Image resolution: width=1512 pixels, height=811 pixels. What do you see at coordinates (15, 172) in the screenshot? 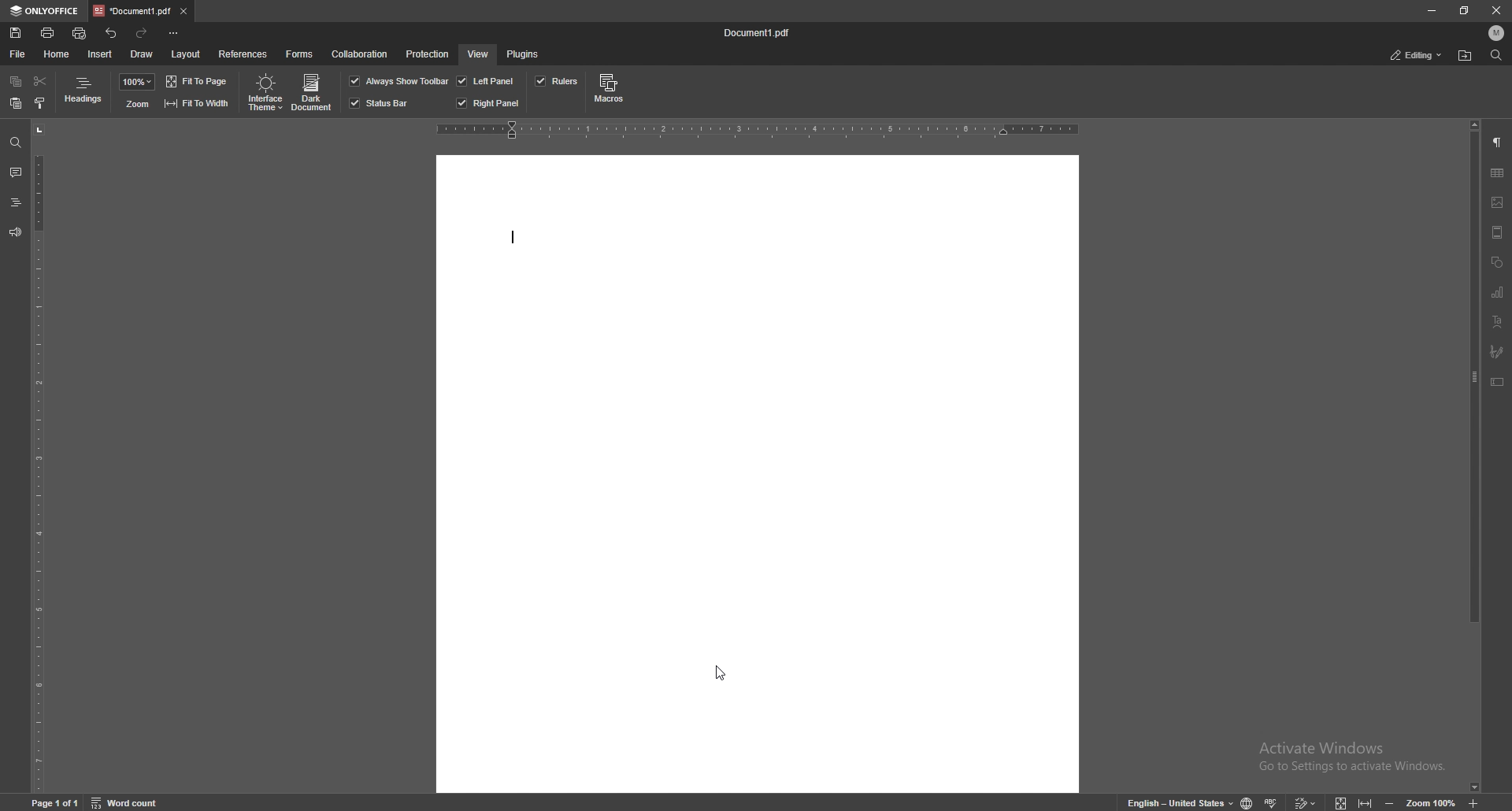
I see `comment` at bounding box center [15, 172].